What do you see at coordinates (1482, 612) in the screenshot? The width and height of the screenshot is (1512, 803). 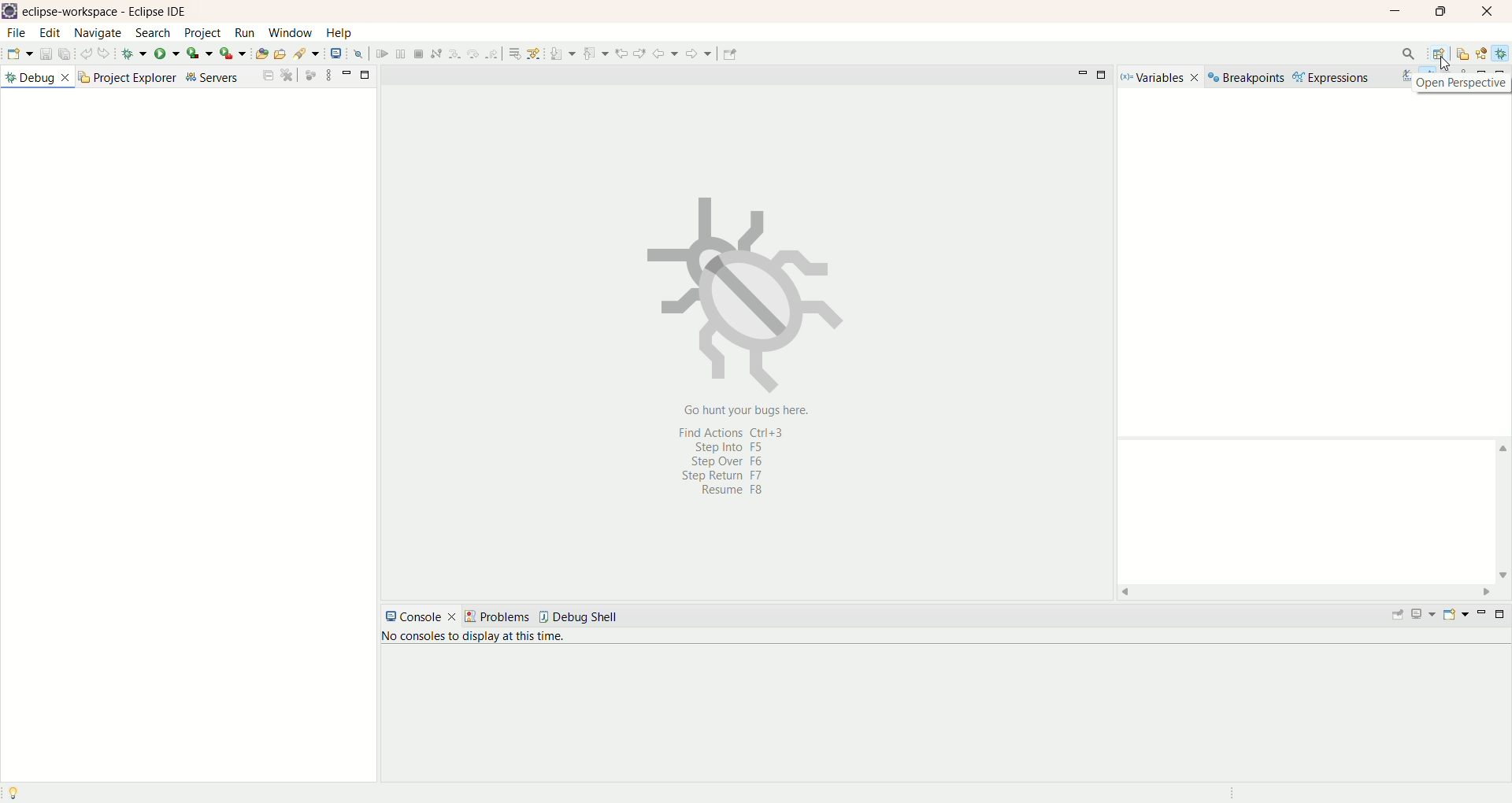 I see `minimize` at bounding box center [1482, 612].